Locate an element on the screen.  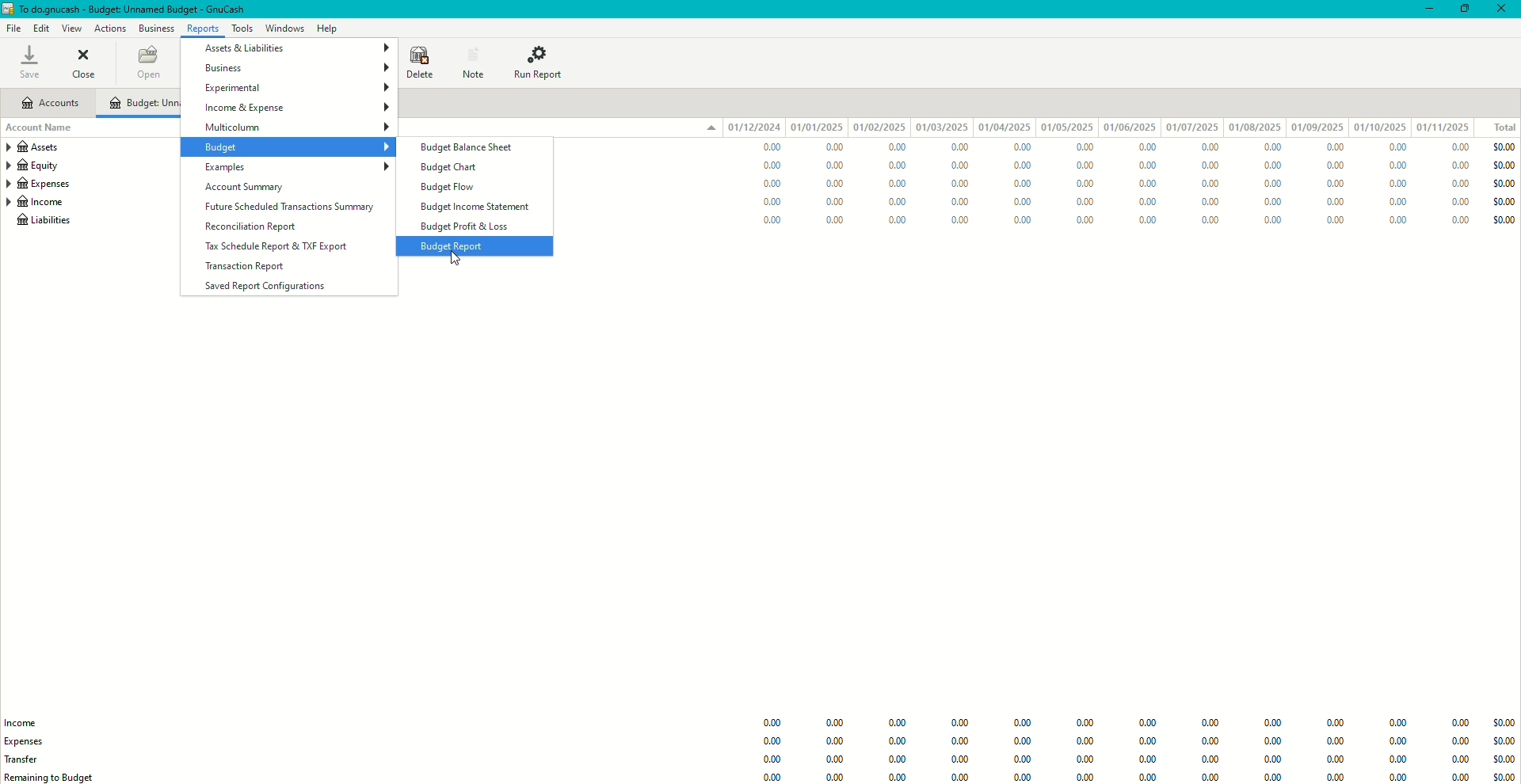
0.00 is located at coordinates (1458, 223).